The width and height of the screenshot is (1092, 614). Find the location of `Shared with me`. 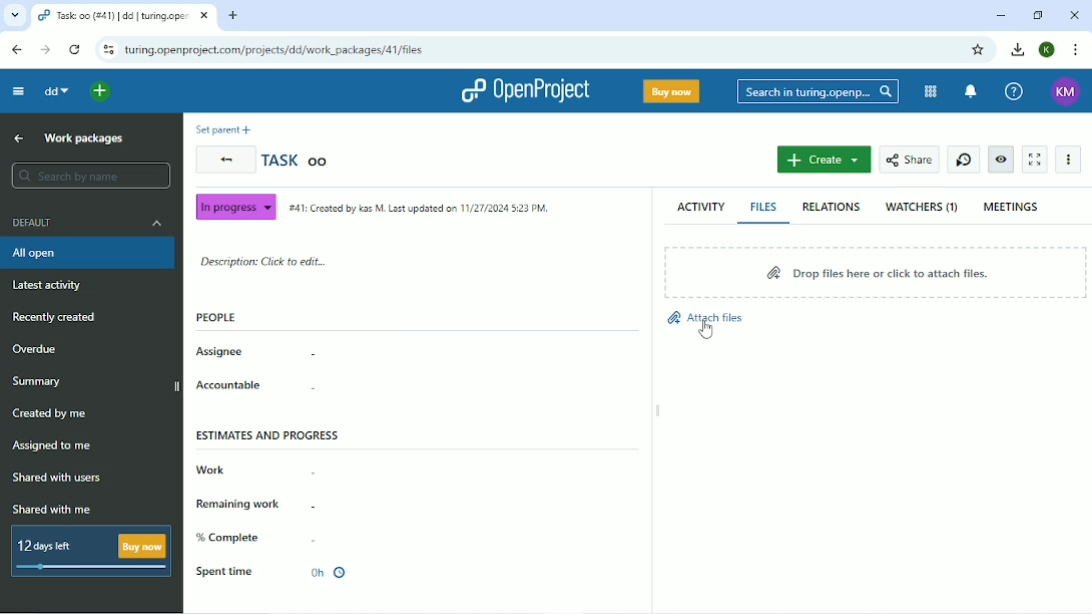

Shared with me is located at coordinates (51, 509).